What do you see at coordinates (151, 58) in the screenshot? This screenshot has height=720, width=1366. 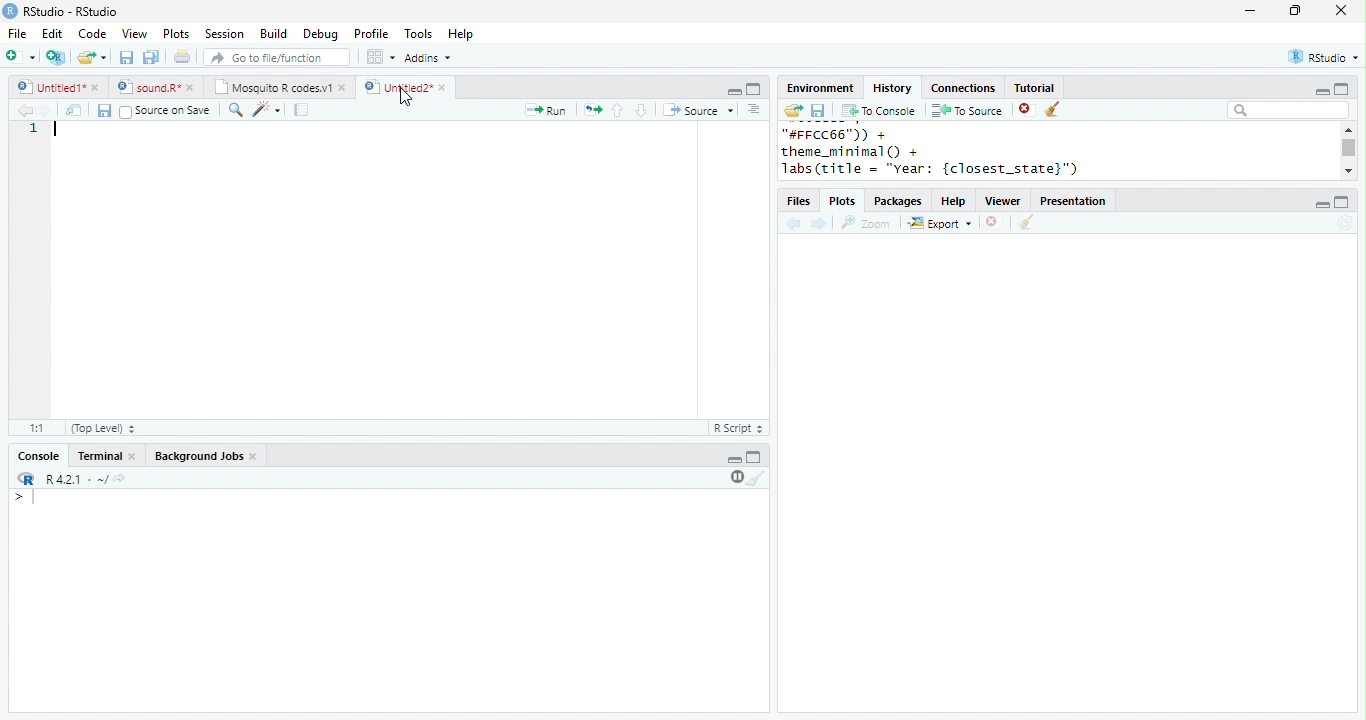 I see `save all` at bounding box center [151, 58].